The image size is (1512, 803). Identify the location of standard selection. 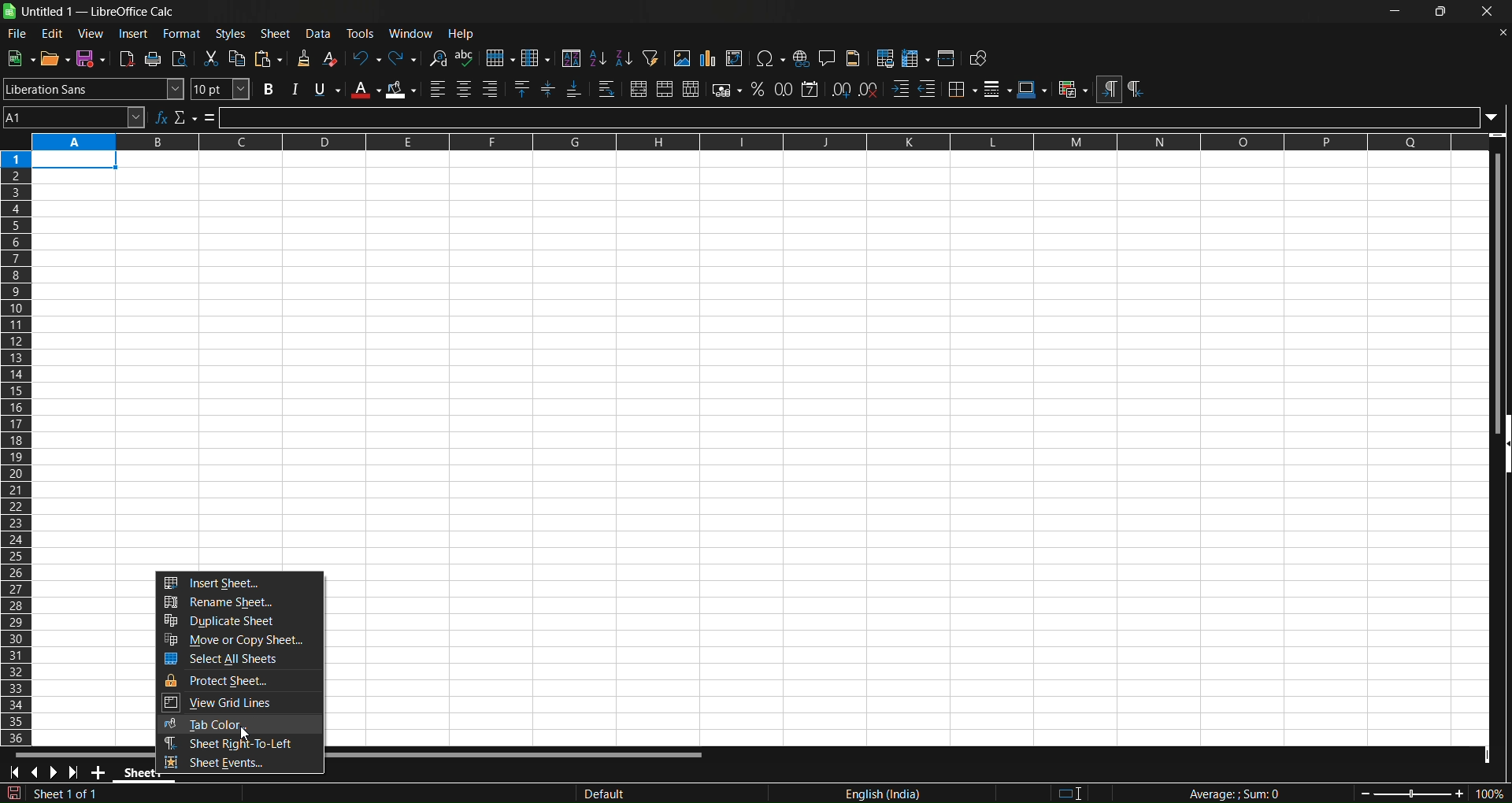
(1080, 791).